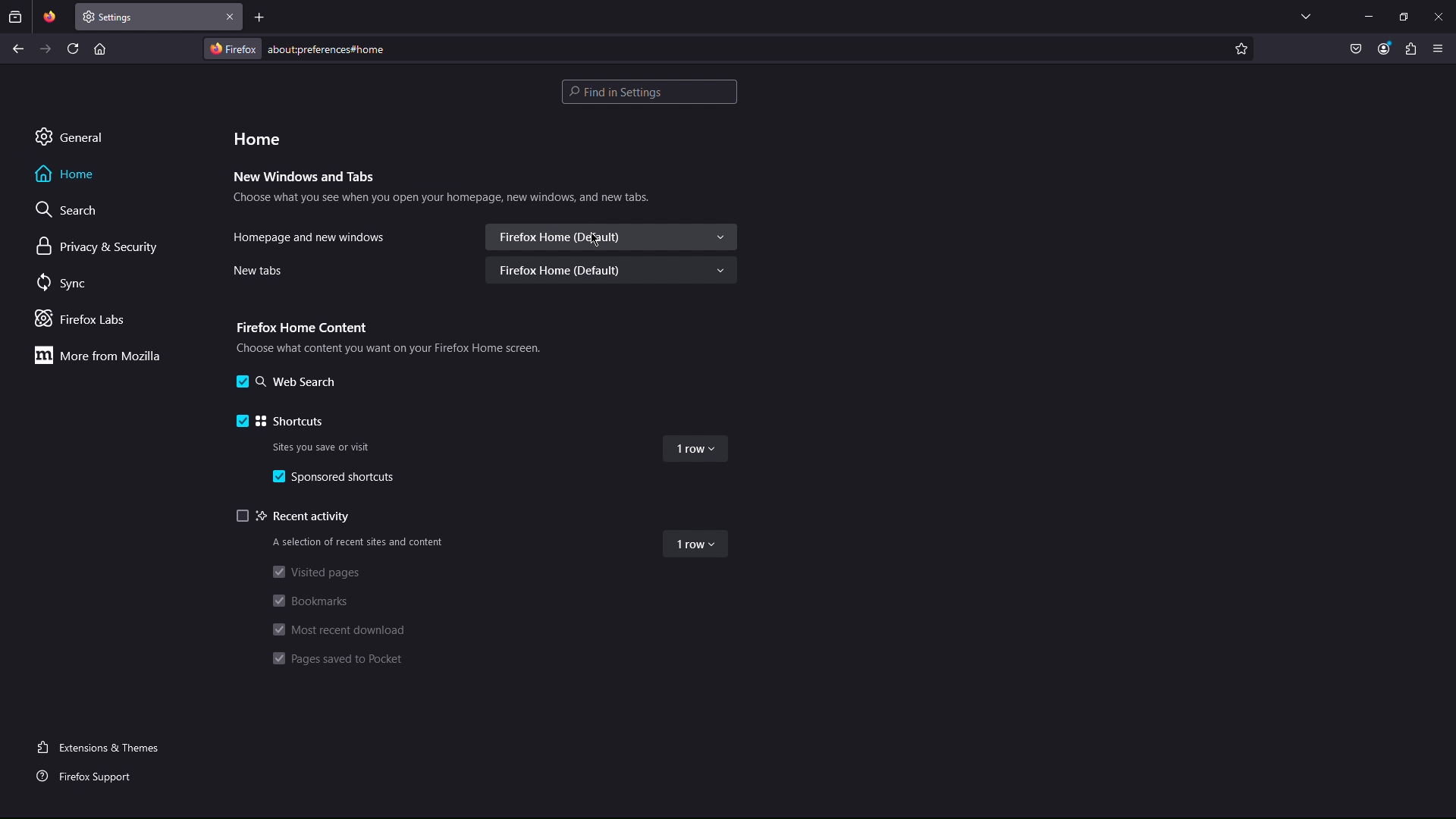 The height and width of the screenshot is (819, 1456). What do you see at coordinates (65, 284) in the screenshot?
I see `Sync` at bounding box center [65, 284].